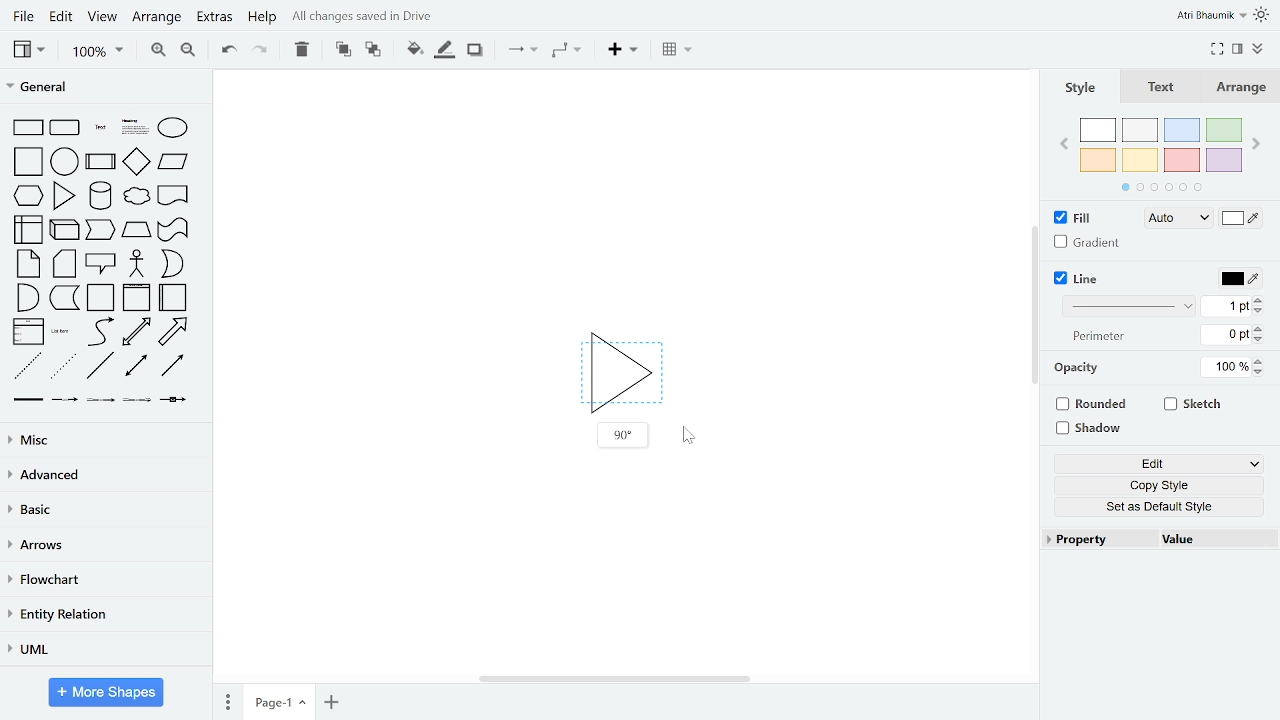 This screenshot has height=720, width=1280. Describe the element at coordinates (25, 161) in the screenshot. I see `square` at that location.